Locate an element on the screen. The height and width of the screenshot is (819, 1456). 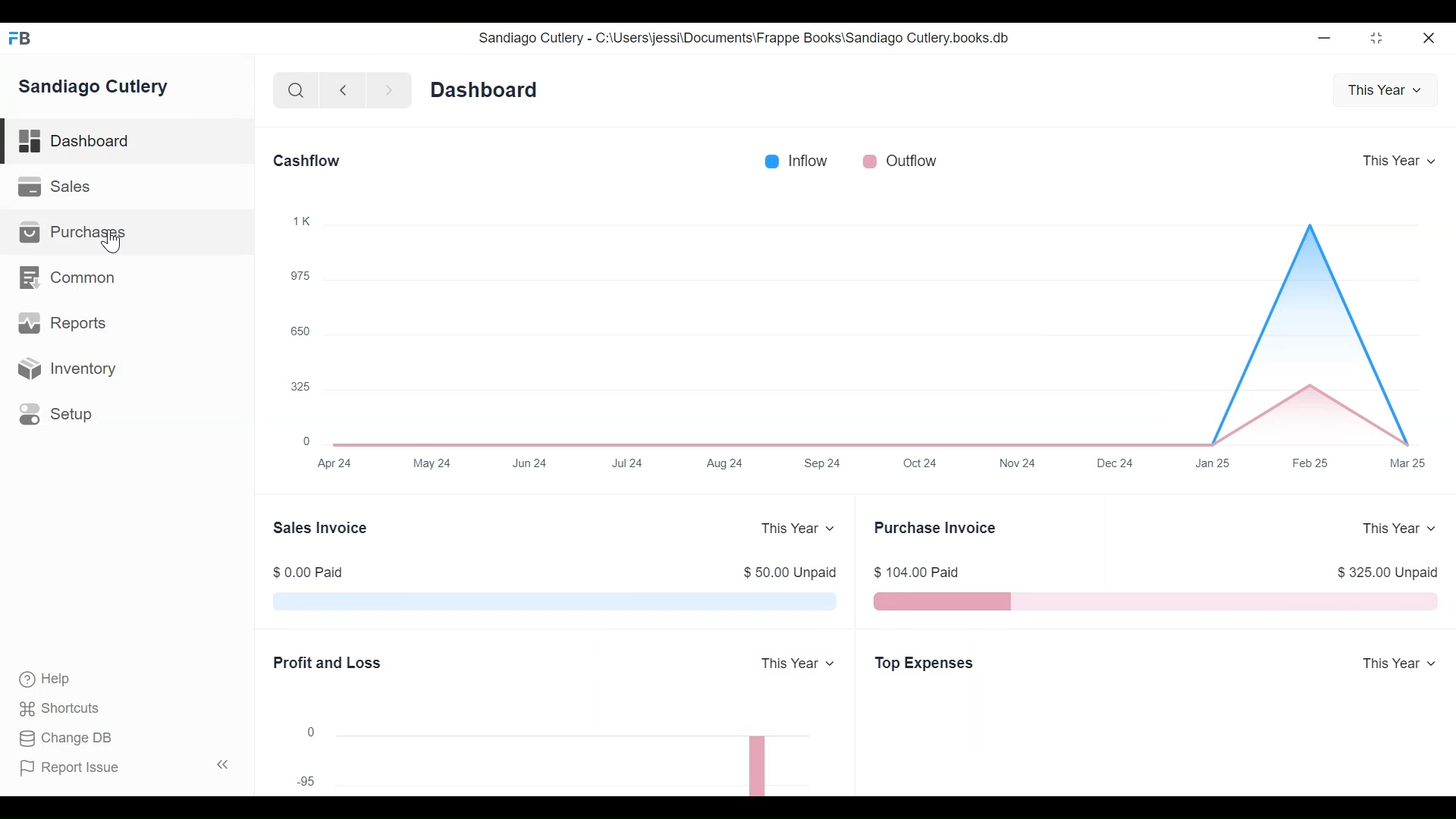
Mar 25 is located at coordinates (1410, 463).